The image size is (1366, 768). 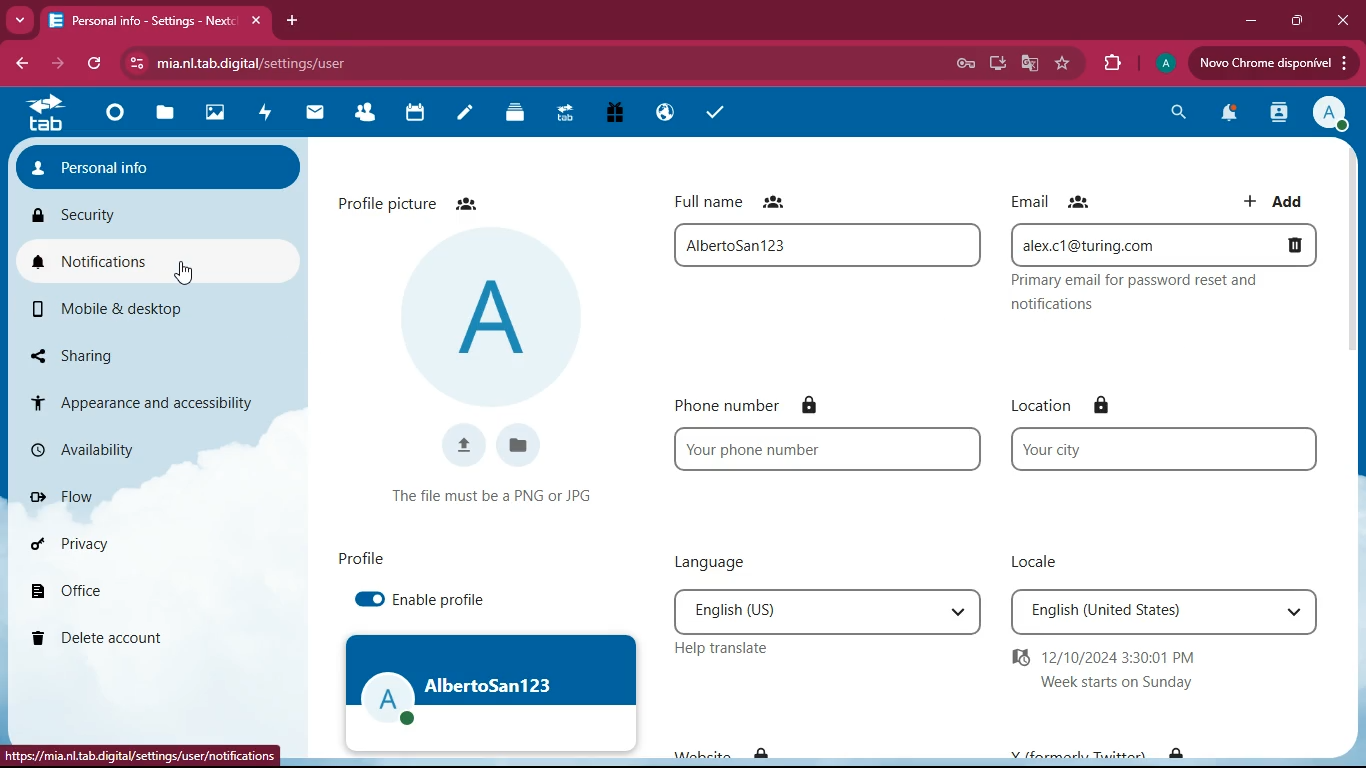 I want to click on profile, so click(x=1328, y=115).